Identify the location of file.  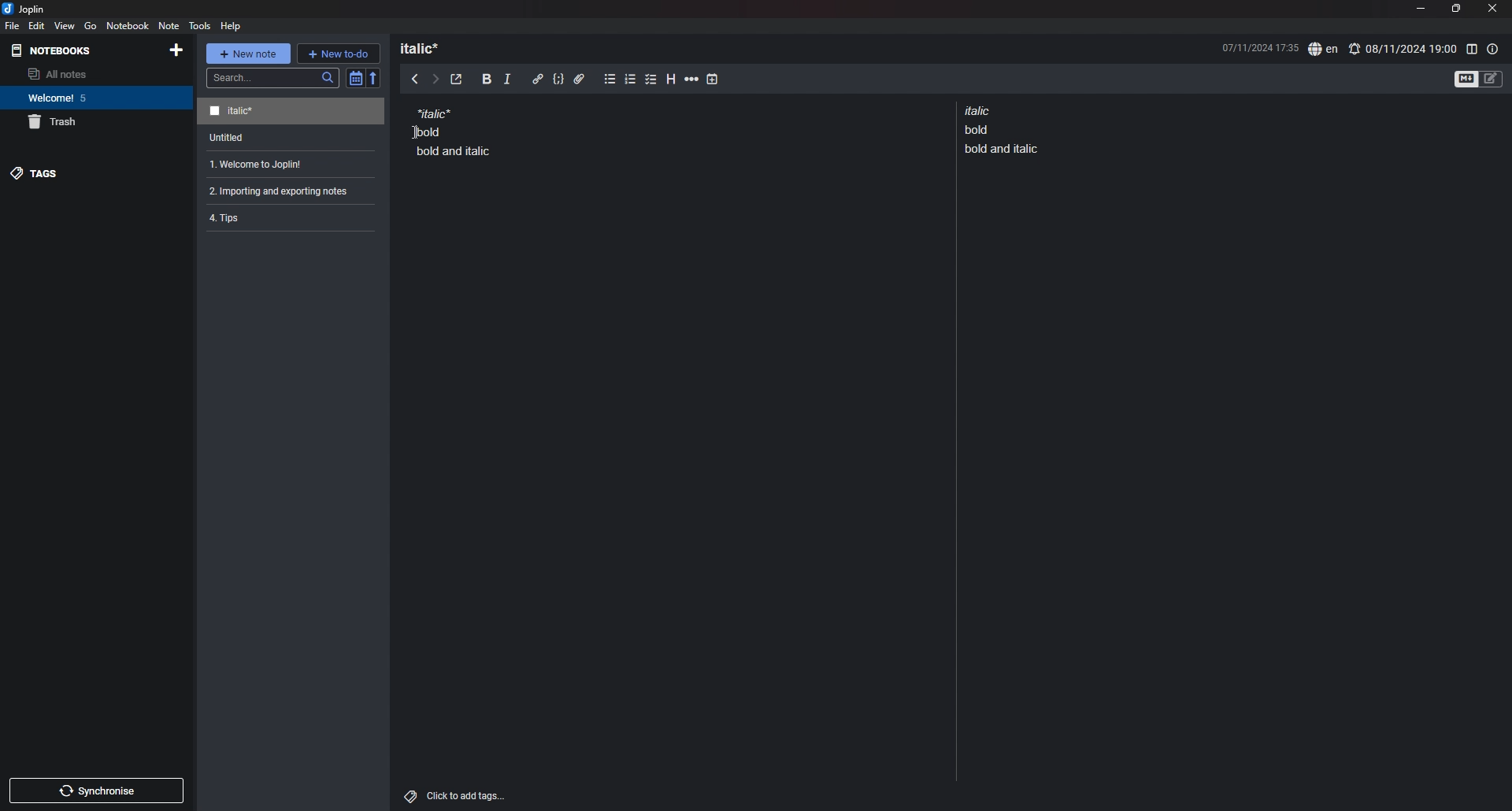
(13, 25).